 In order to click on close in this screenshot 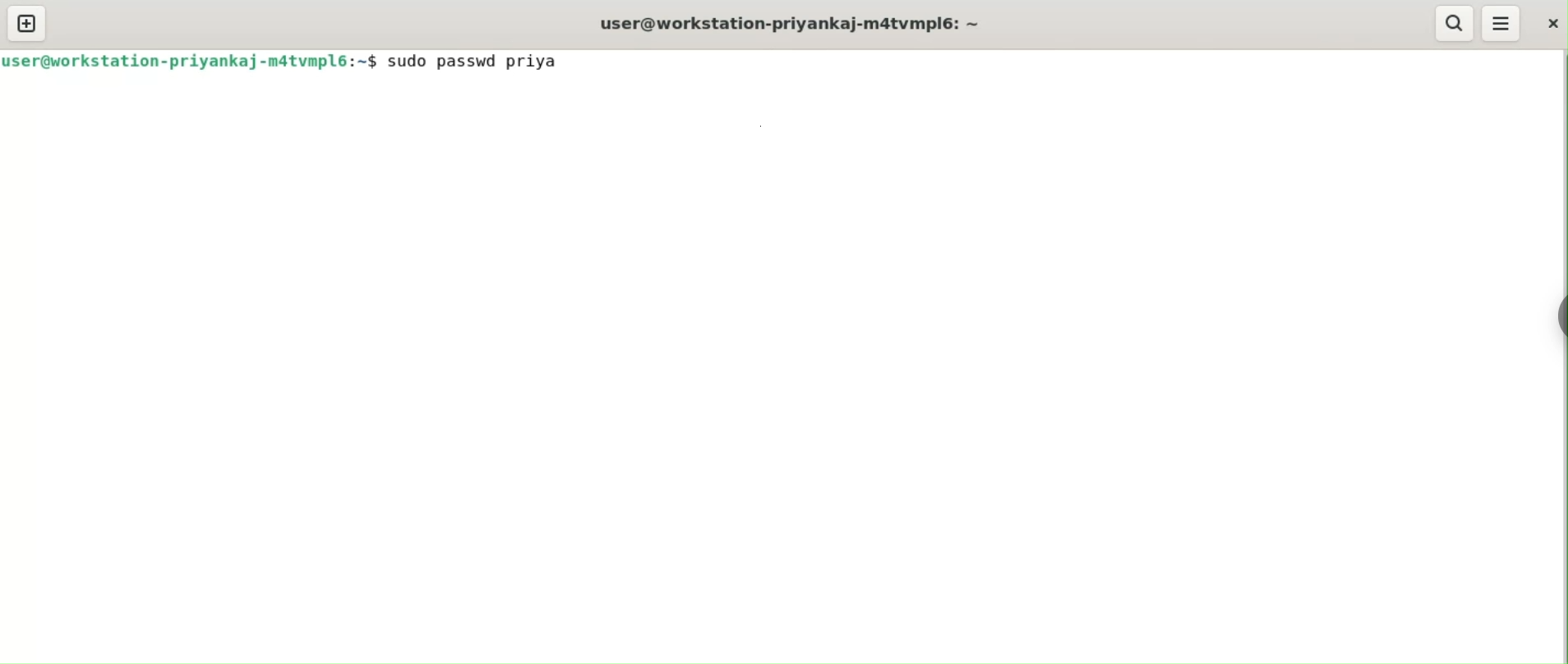, I will do `click(1554, 24)`.